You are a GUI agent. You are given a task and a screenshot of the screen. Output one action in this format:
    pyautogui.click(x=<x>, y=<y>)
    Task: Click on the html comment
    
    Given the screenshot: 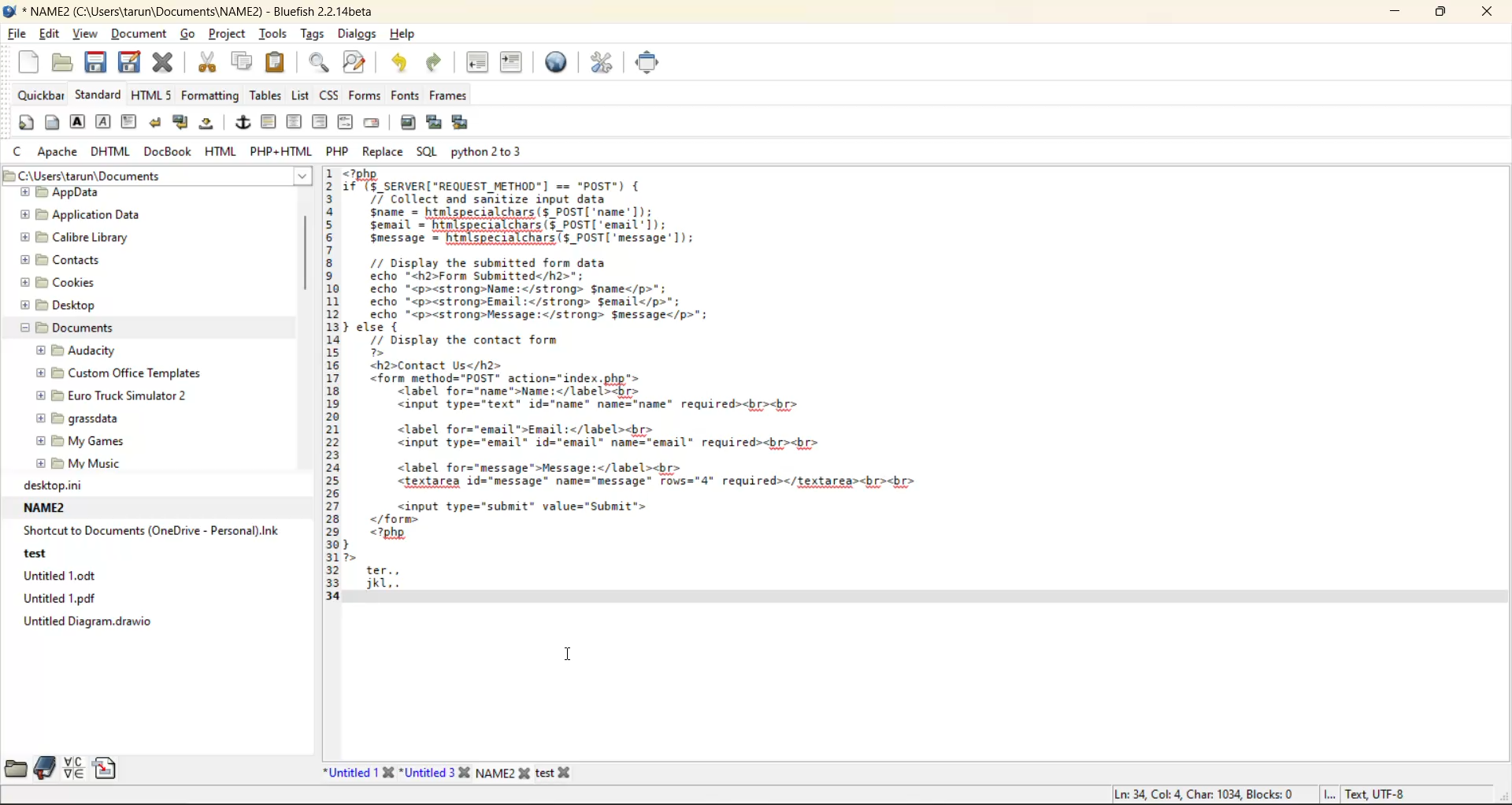 What is the action you would take?
    pyautogui.click(x=348, y=123)
    